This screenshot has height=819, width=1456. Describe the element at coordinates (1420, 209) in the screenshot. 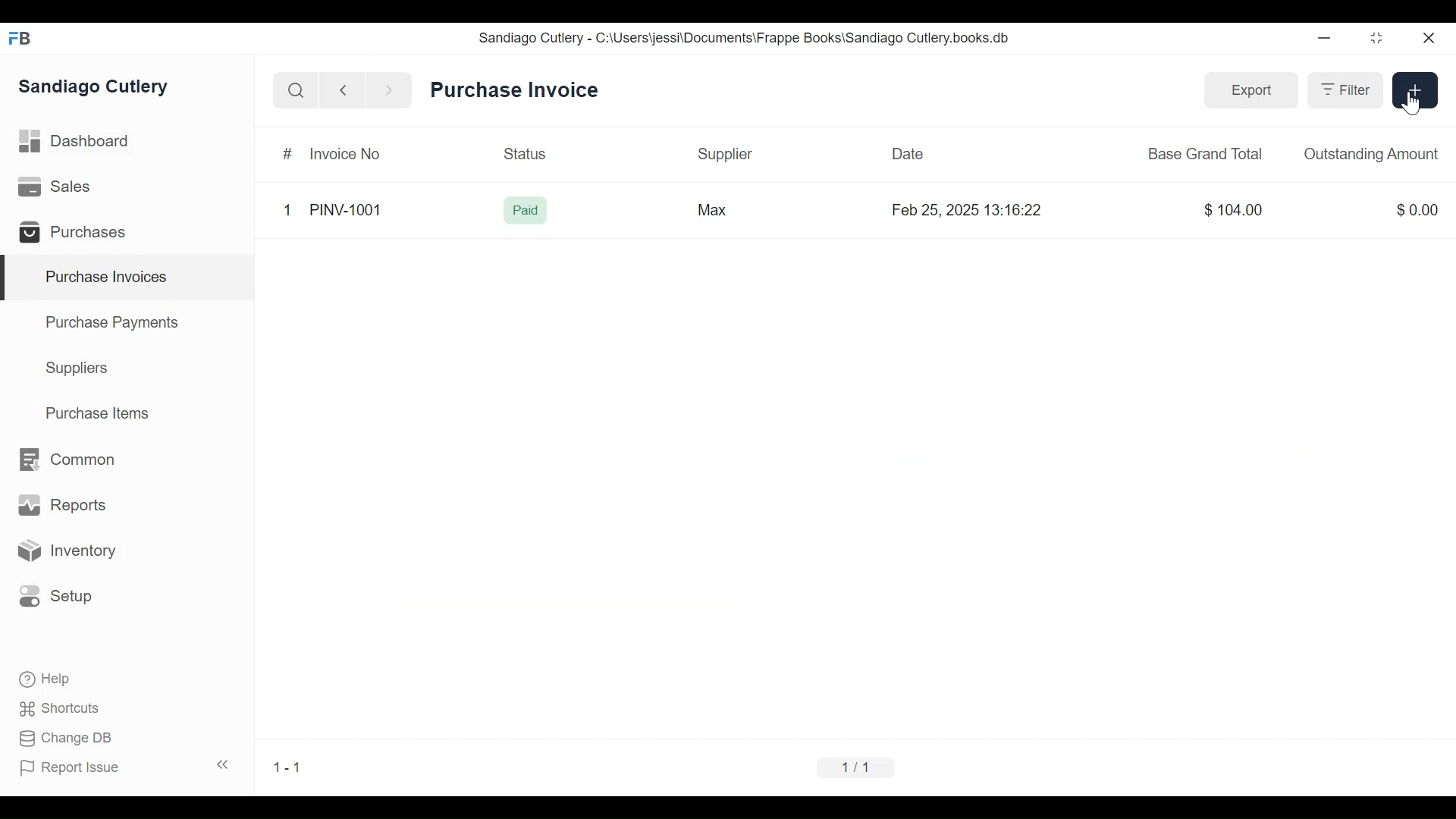

I see `$0.00` at that location.